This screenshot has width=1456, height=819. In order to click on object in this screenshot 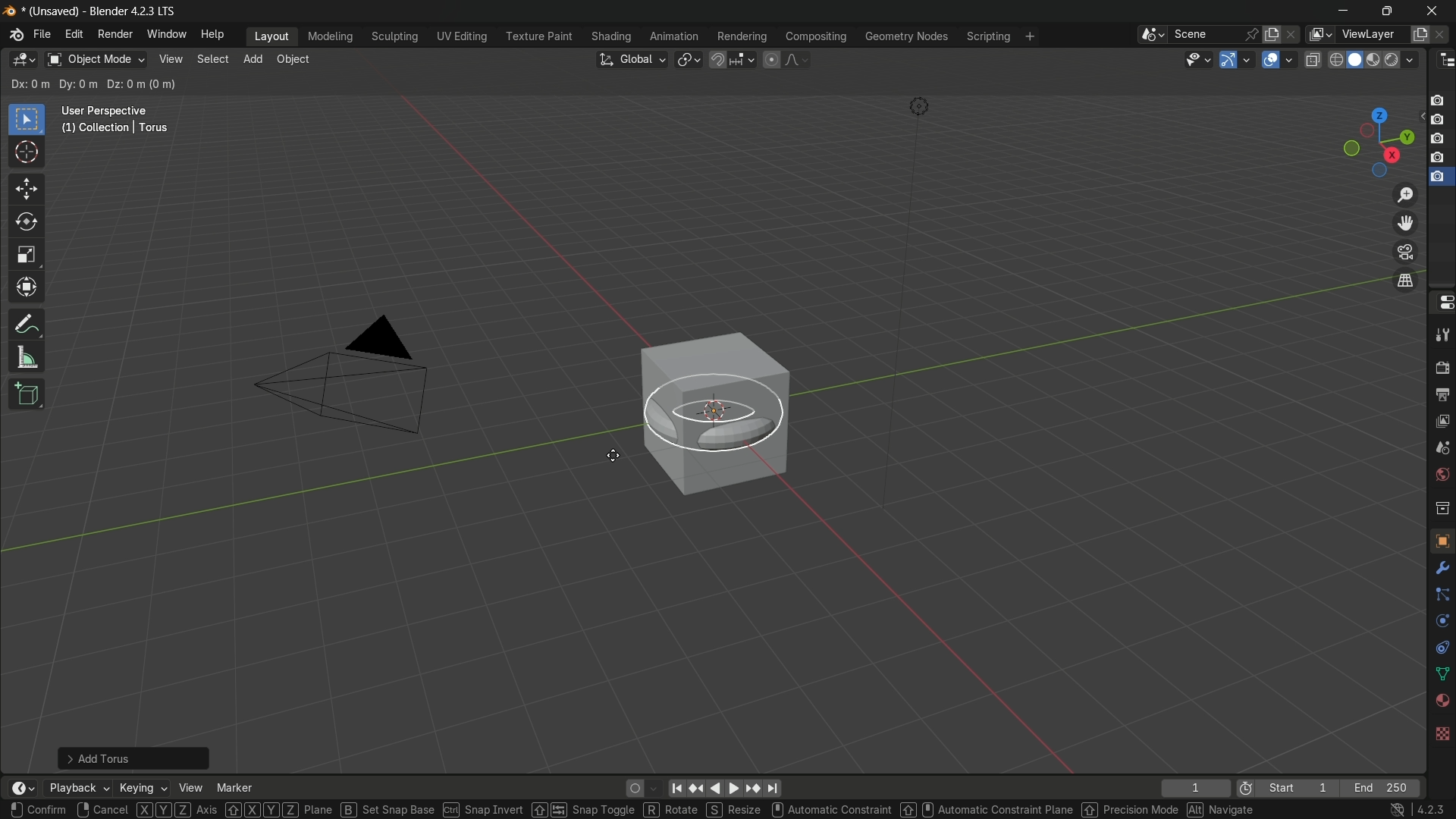, I will do `click(1442, 540)`.